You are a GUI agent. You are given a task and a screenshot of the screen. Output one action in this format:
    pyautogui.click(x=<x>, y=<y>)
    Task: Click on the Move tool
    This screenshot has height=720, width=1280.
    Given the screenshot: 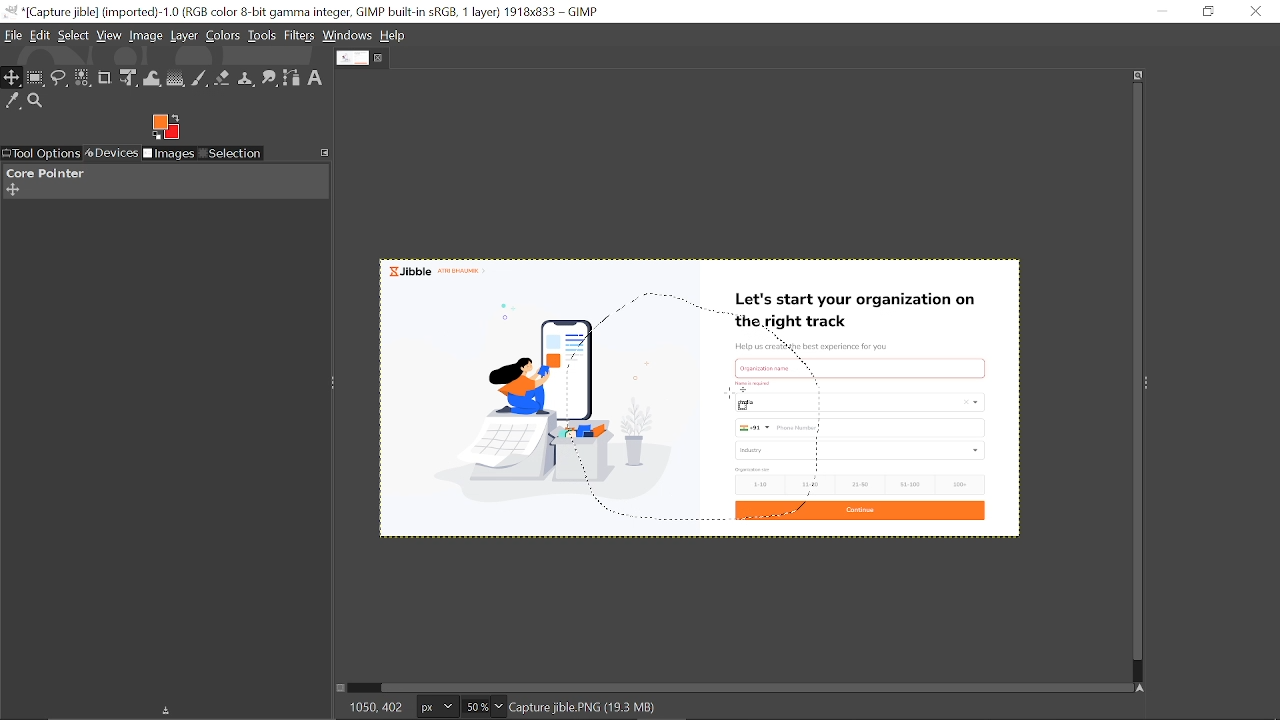 What is the action you would take?
    pyautogui.click(x=12, y=78)
    